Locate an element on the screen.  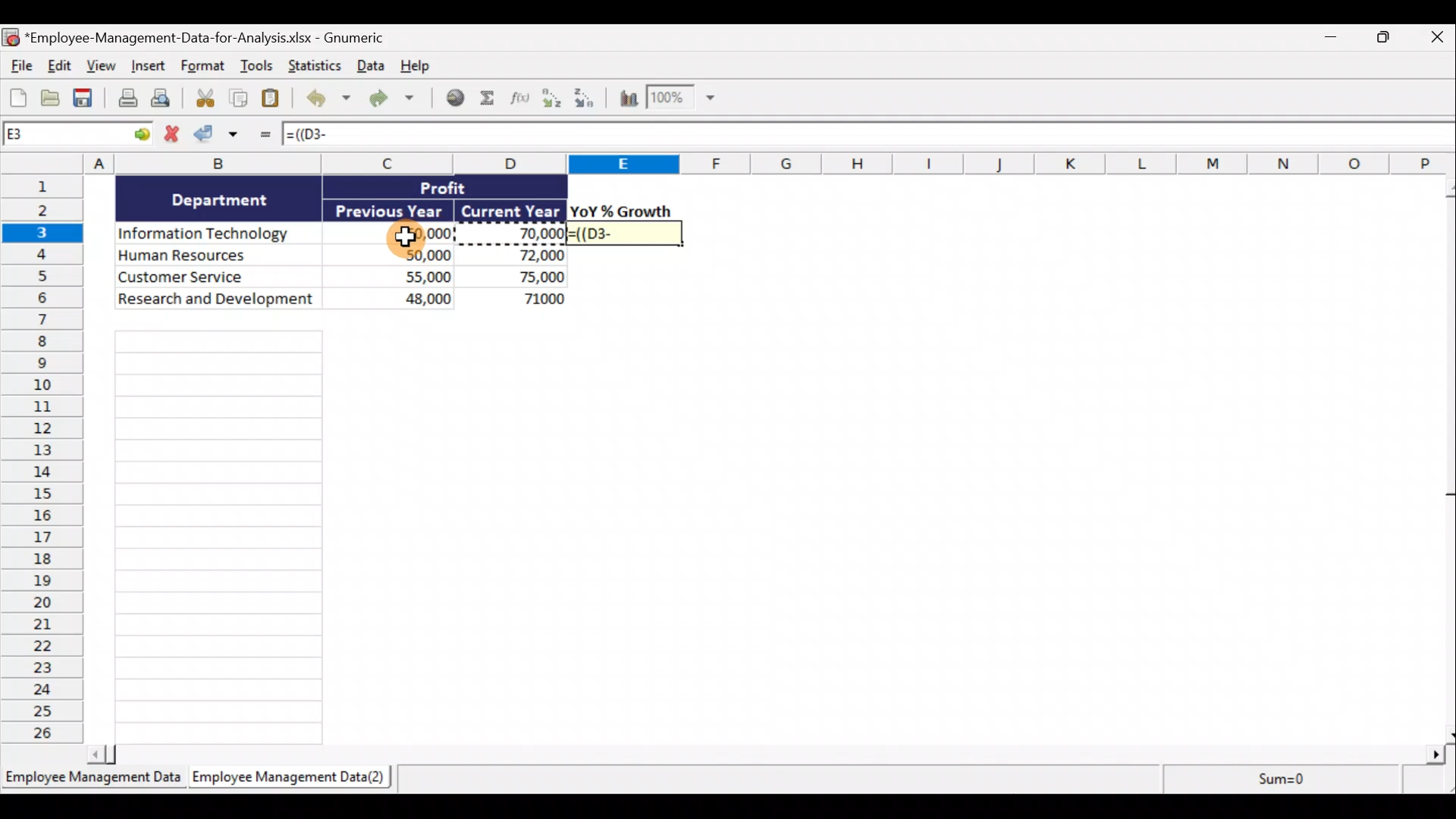
Scroll bar is located at coordinates (766, 757).